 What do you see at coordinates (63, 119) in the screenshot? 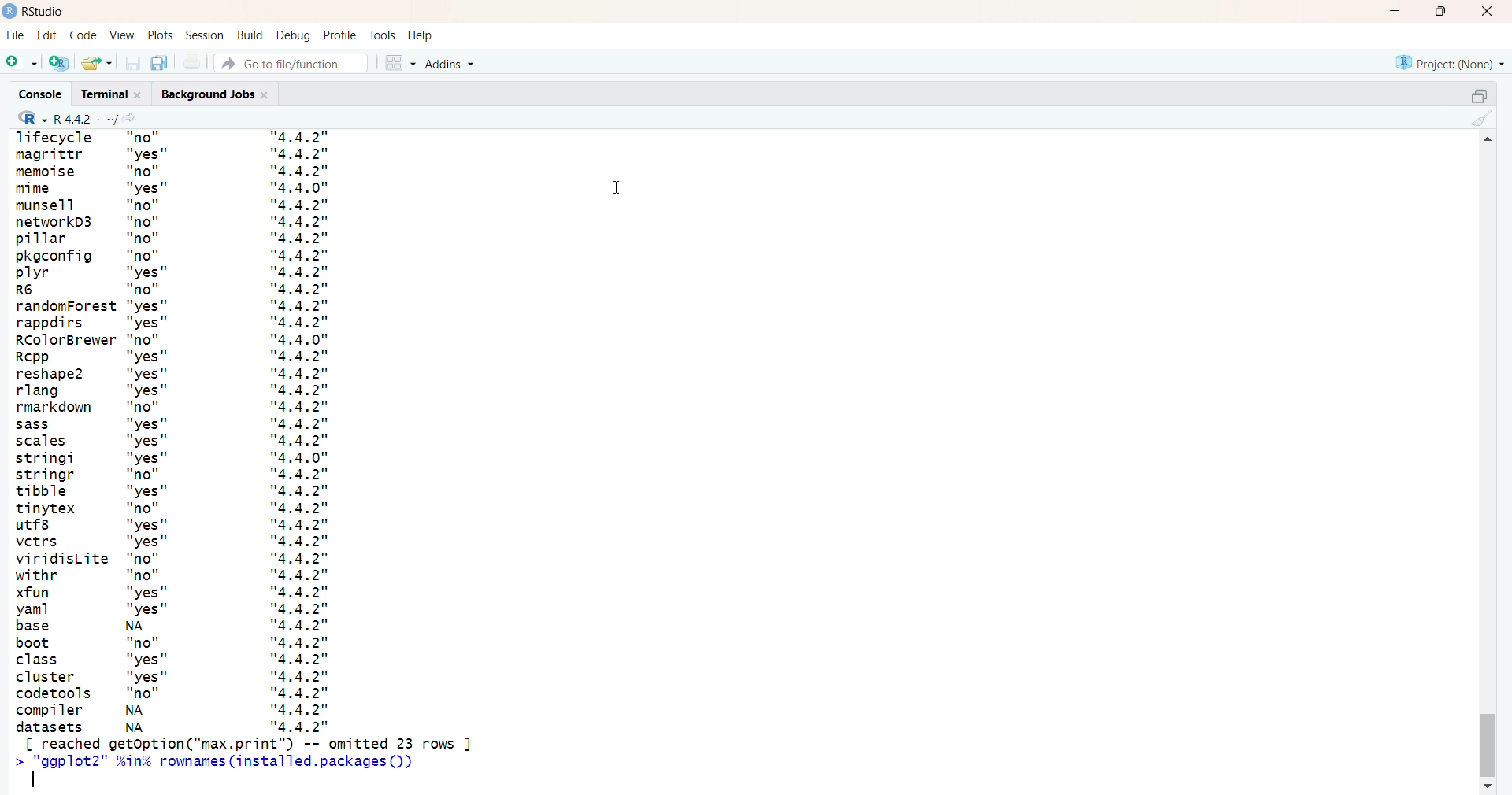
I see `R 4.4.2` at bounding box center [63, 119].